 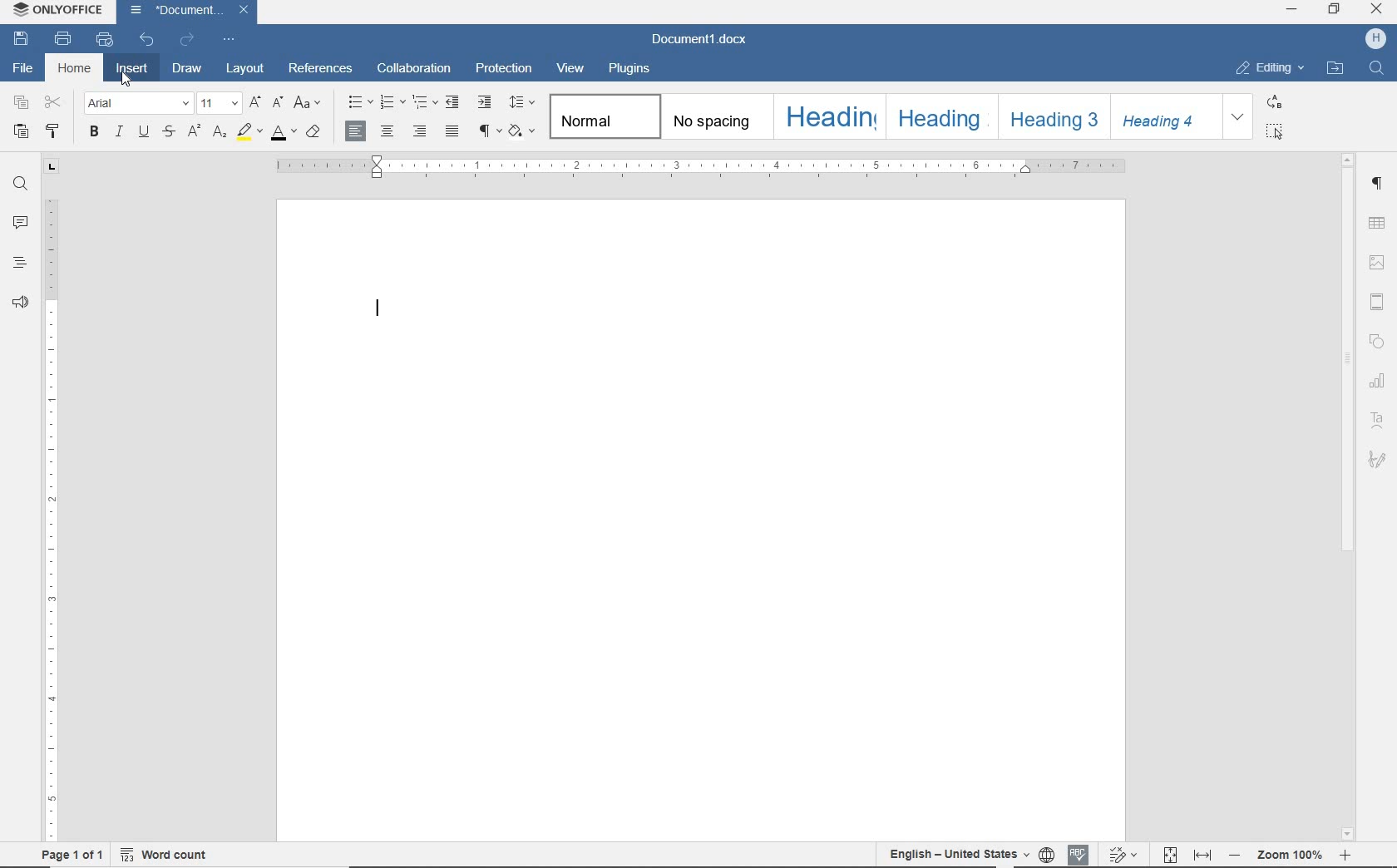 I want to click on shape, so click(x=1378, y=341).